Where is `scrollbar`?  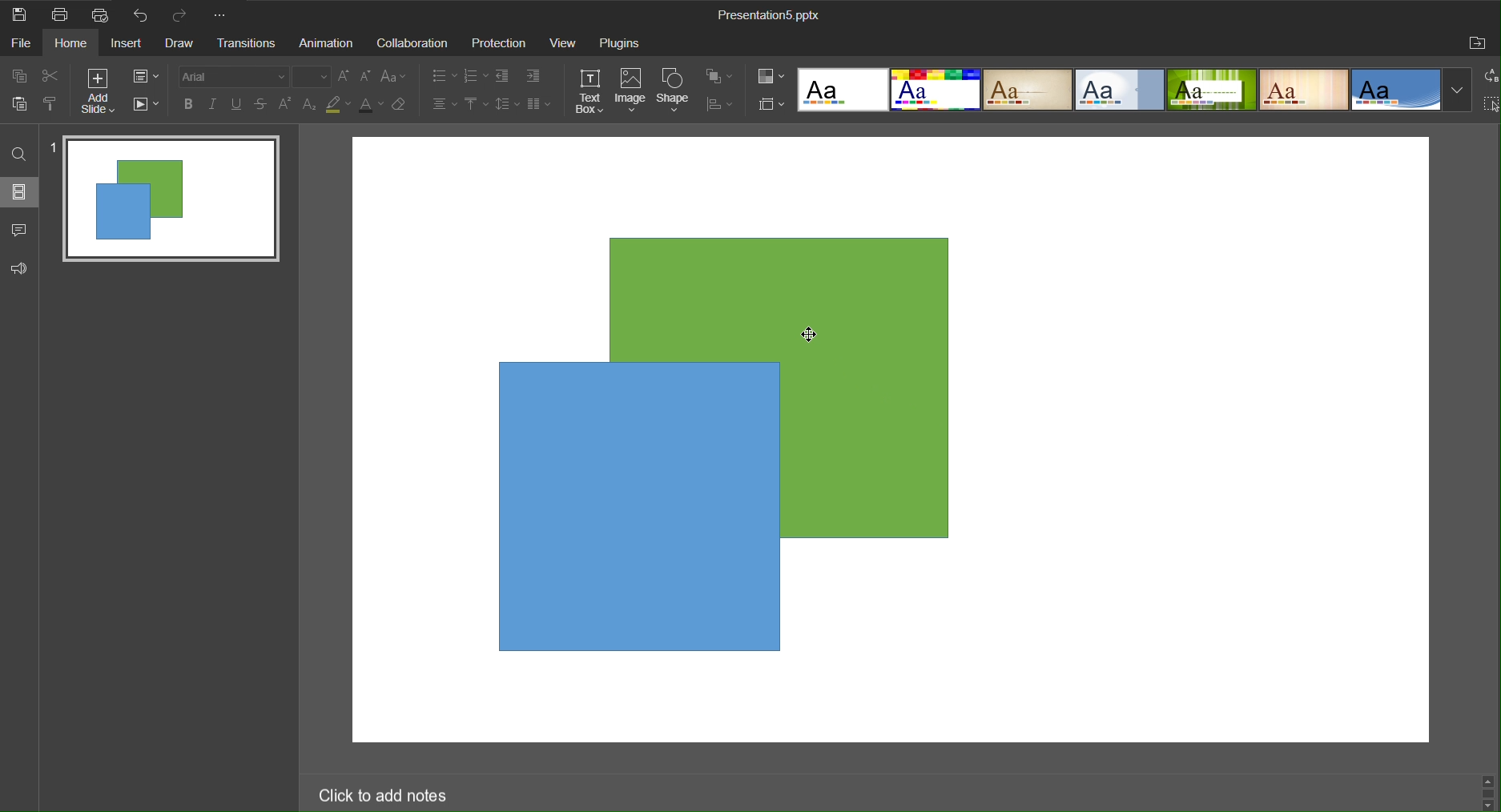 scrollbar is located at coordinates (1486, 790).